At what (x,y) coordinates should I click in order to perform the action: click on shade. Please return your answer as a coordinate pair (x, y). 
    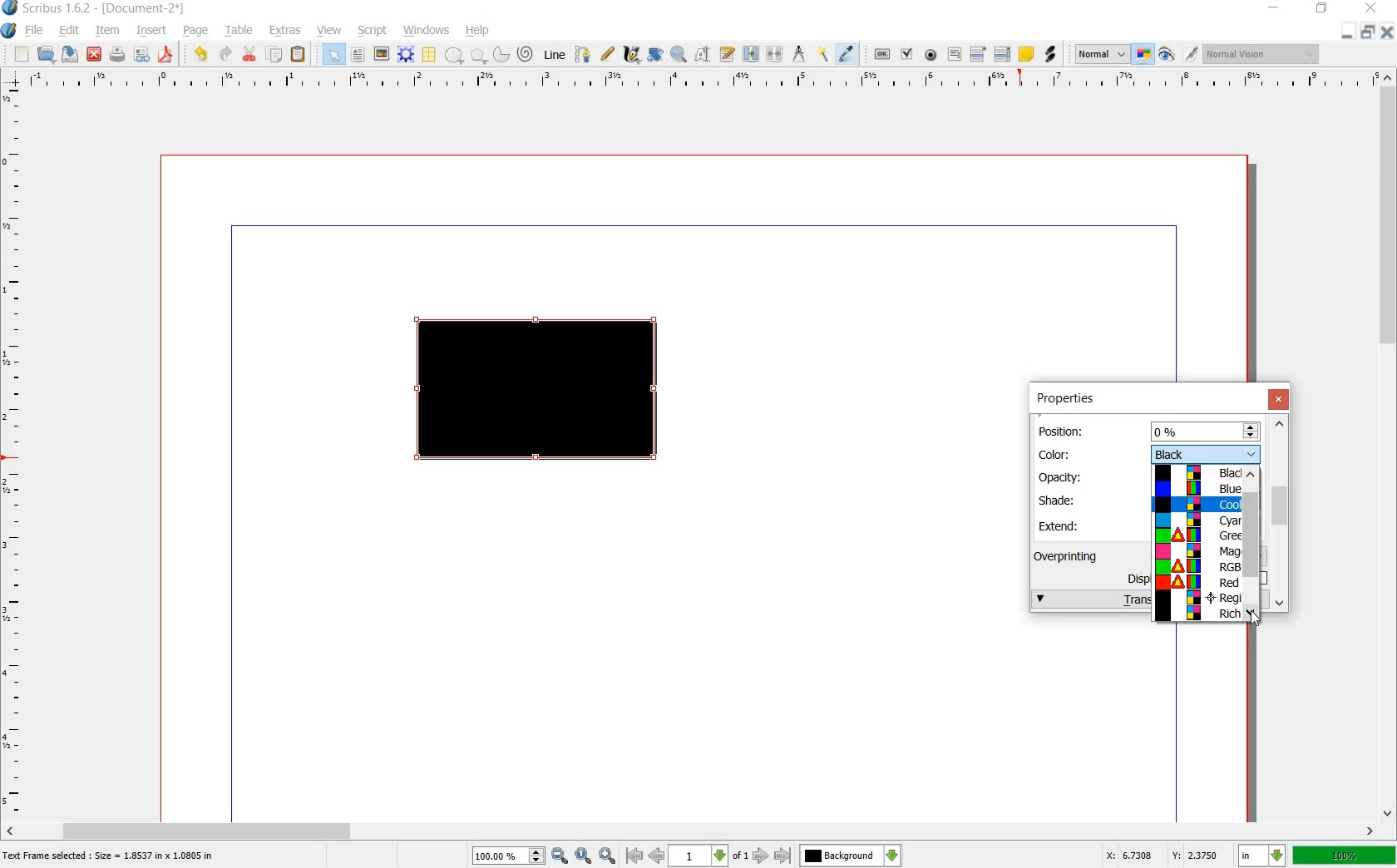
    Looking at the image, I should click on (1064, 500).